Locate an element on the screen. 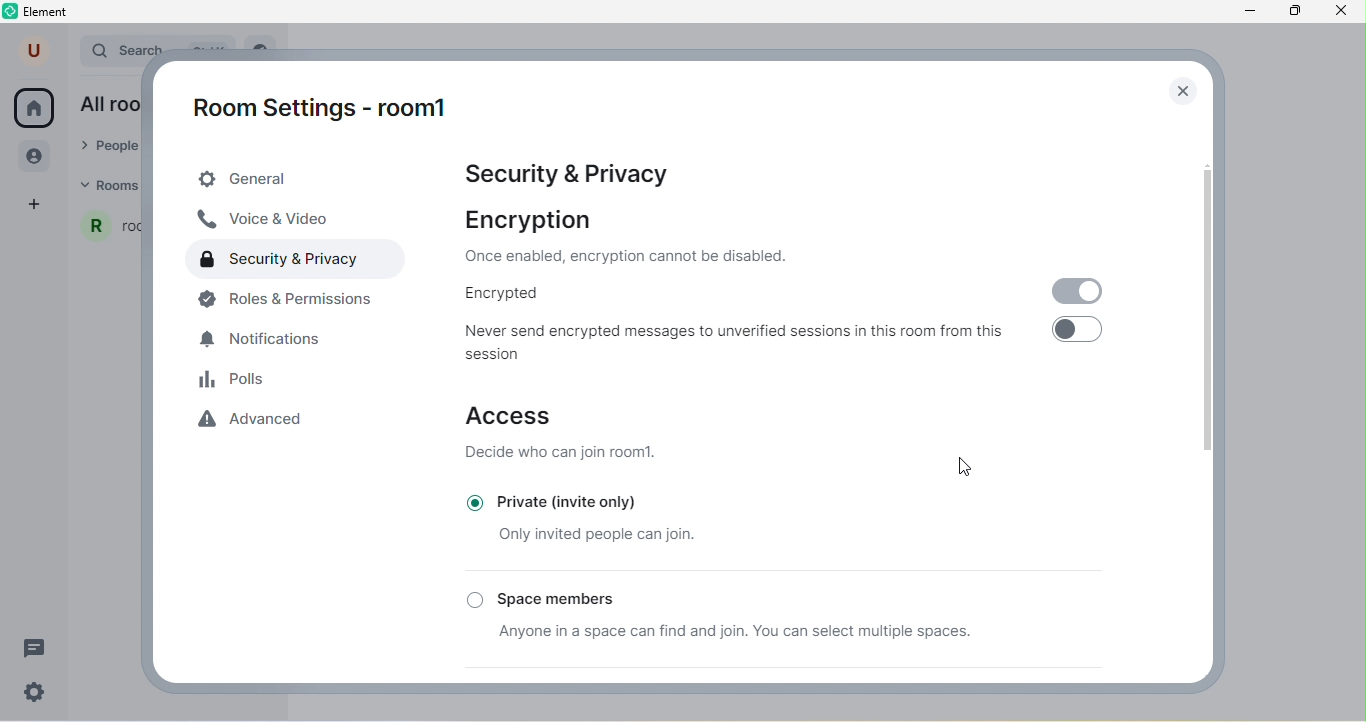 This screenshot has height=722, width=1366. toggle off is located at coordinates (1080, 336).